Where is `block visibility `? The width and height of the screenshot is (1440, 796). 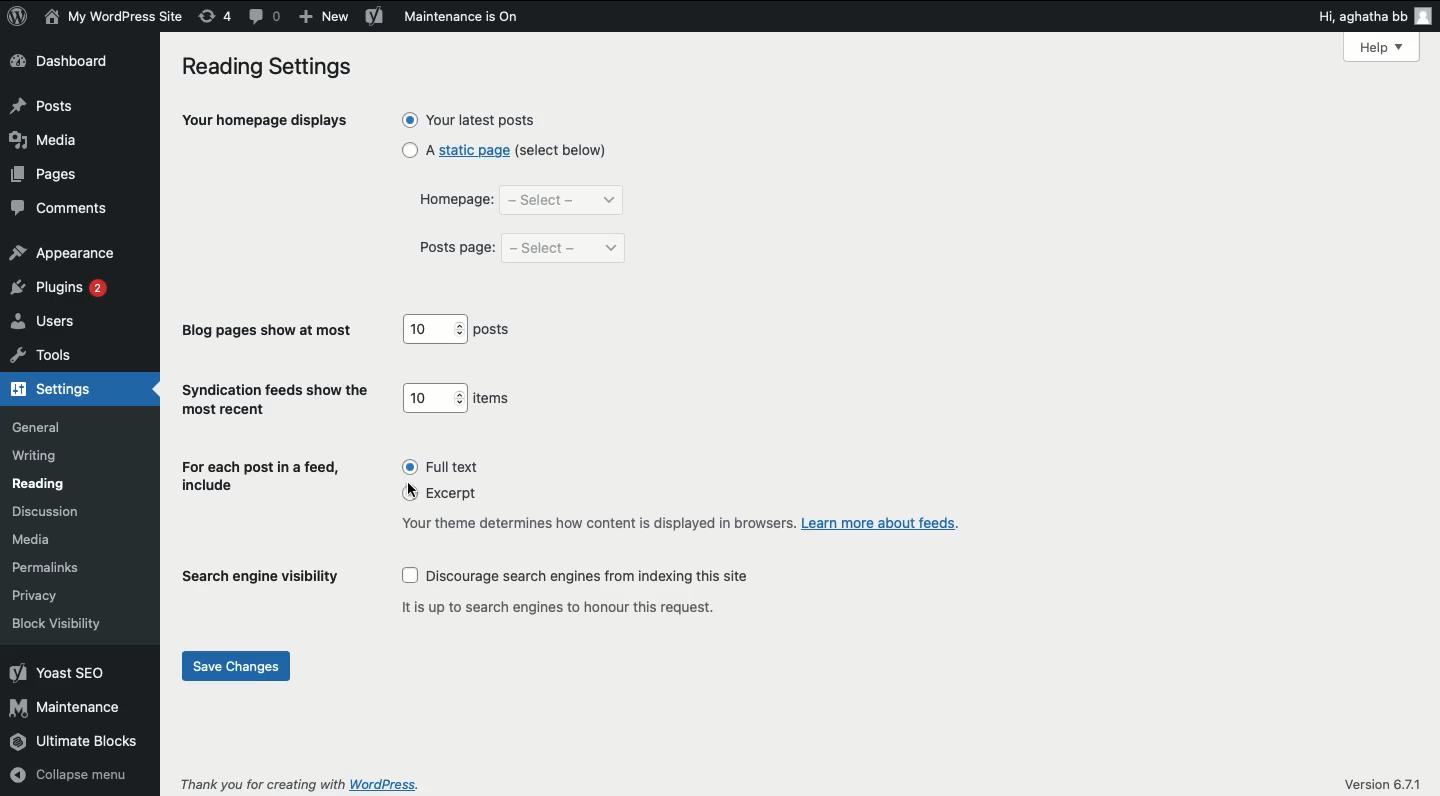 block visibility  is located at coordinates (55, 623).